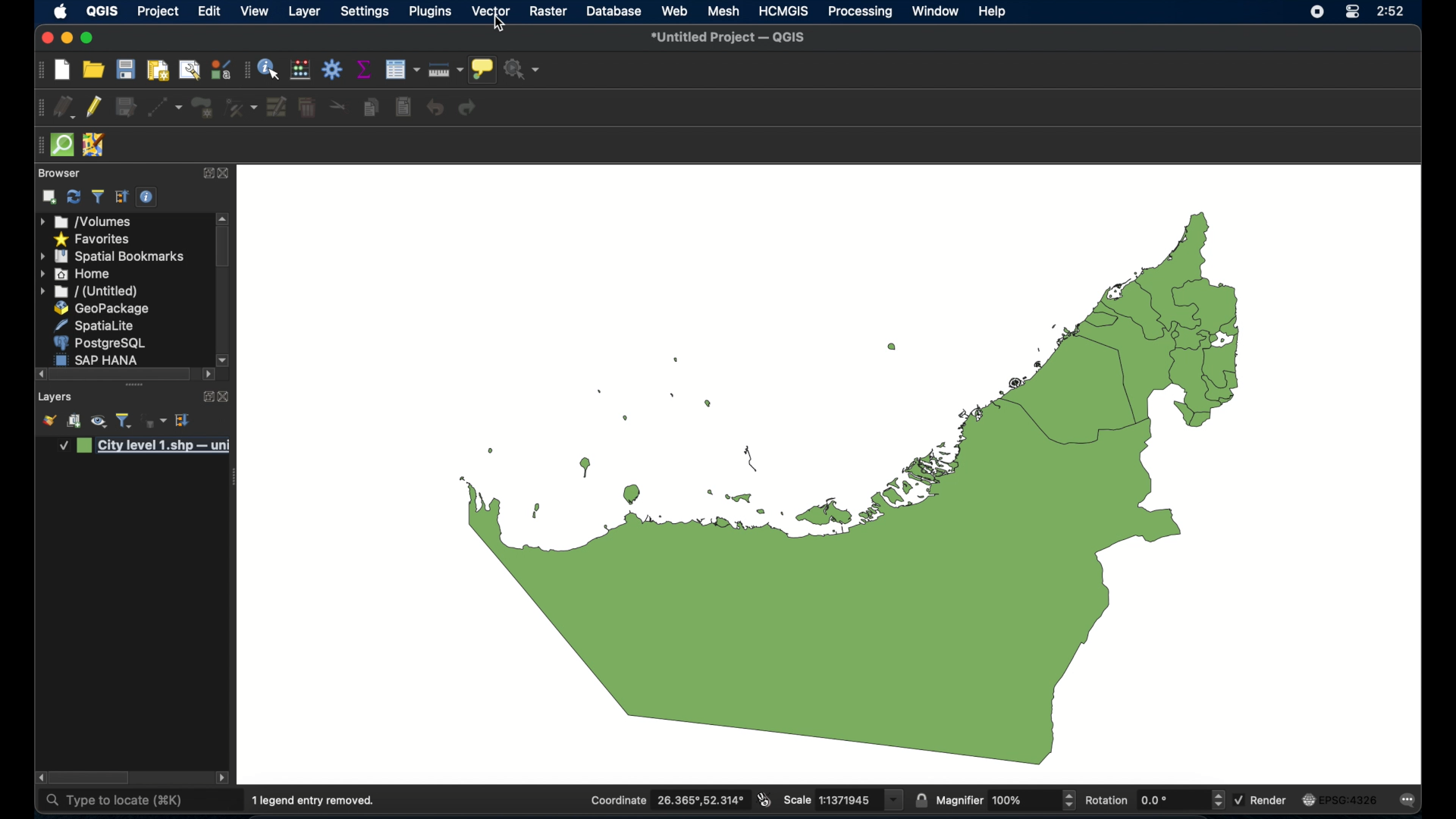  Describe the element at coordinates (102, 12) in the screenshot. I see `QGIS` at that location.